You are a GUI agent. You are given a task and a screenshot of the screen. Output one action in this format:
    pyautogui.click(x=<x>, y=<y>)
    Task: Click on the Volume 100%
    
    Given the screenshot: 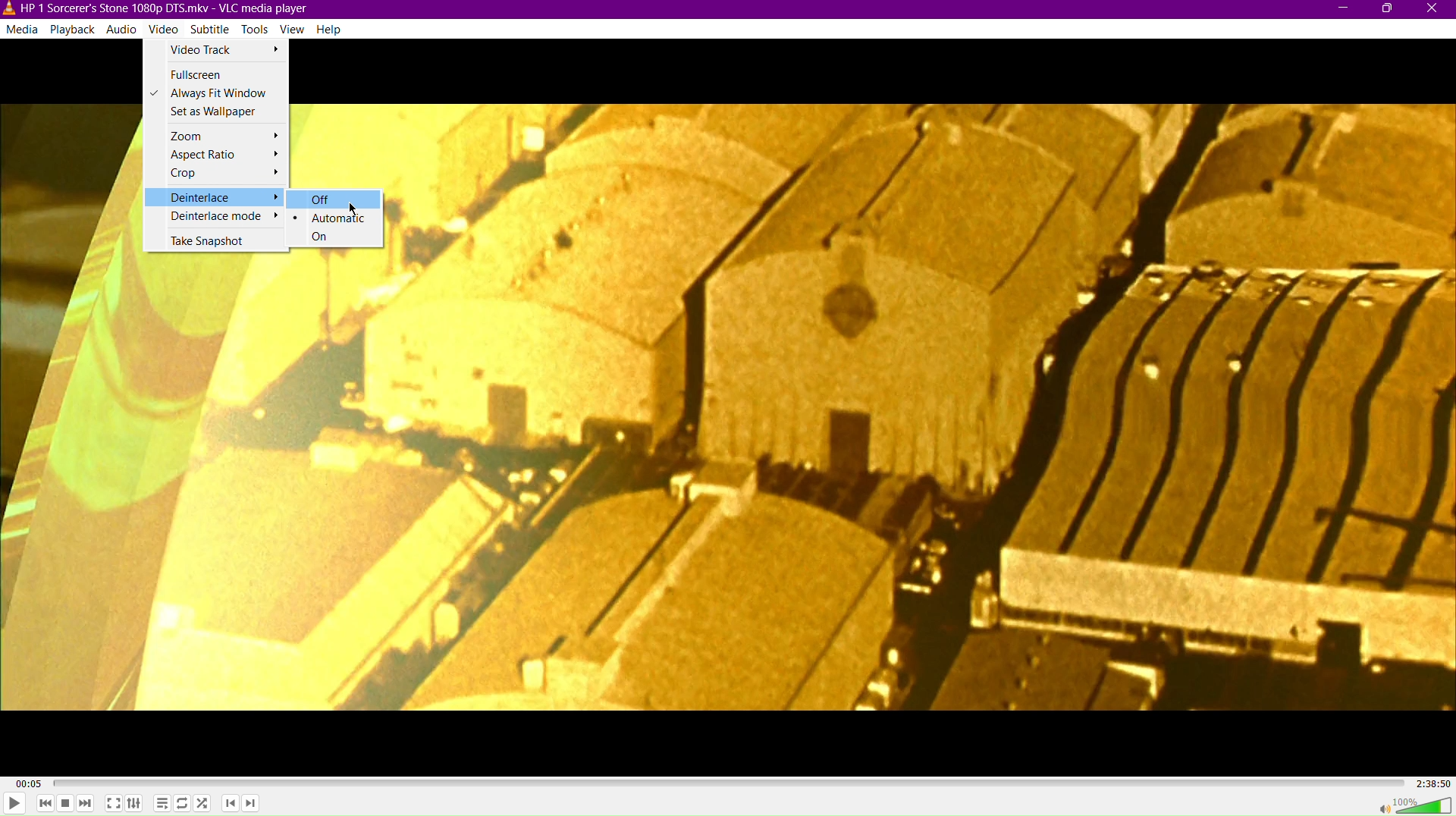 What is the action you would take?
    pyautogui.click(x=1412, y=804)
    